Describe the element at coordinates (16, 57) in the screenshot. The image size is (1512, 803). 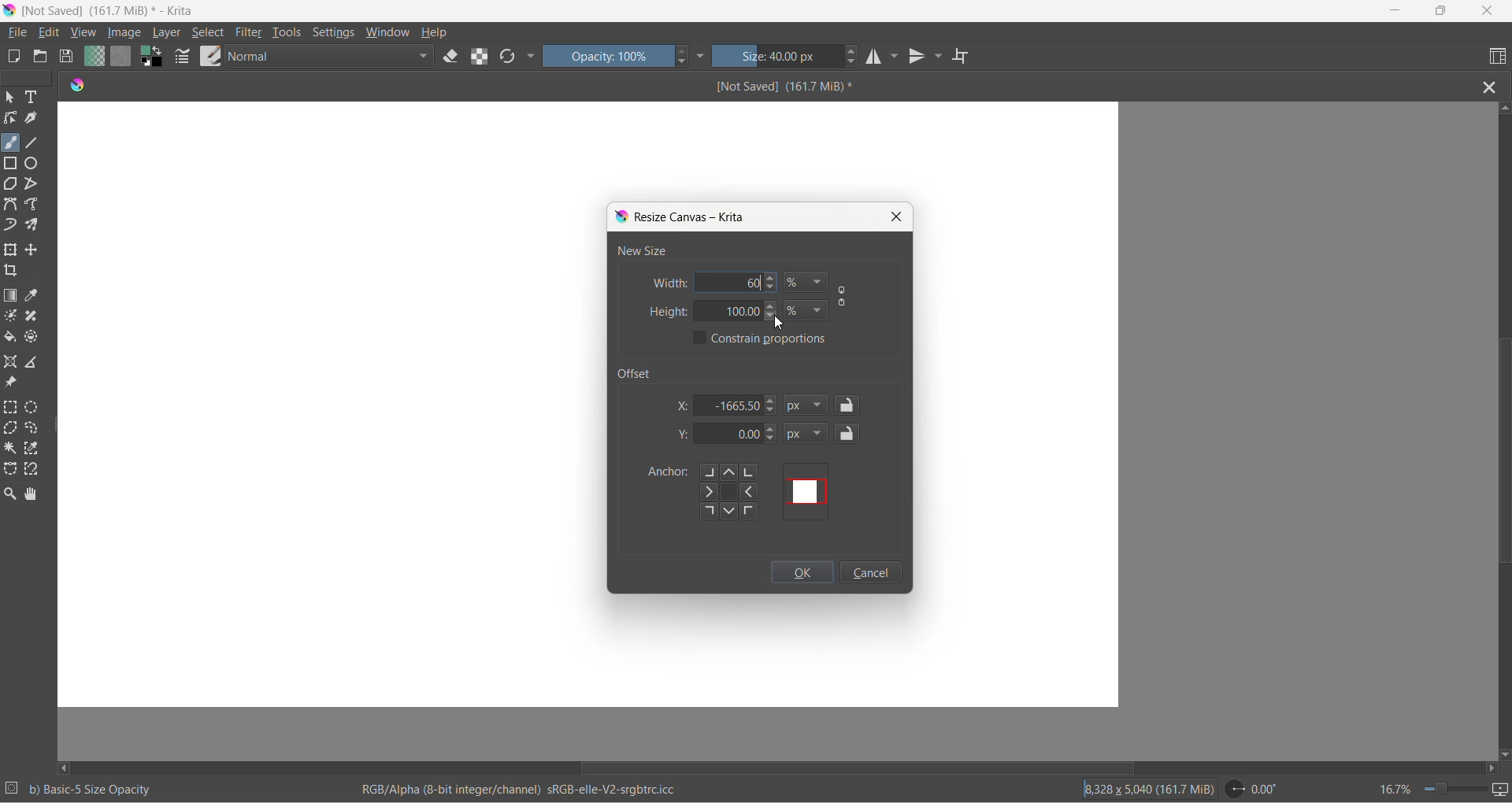
I see `new document` at that location.